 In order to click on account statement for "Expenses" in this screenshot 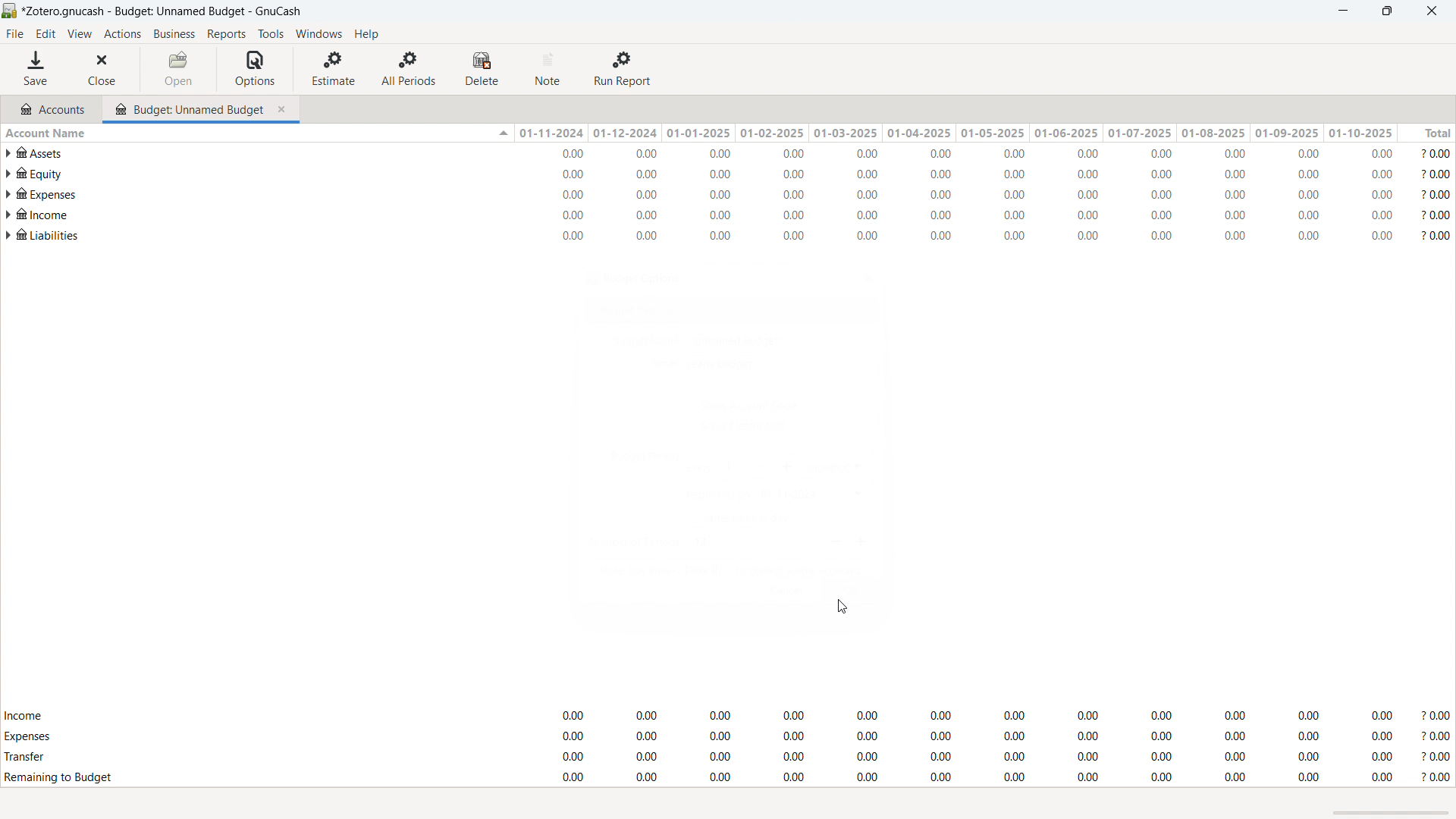, I will do `click(738, 194)`.